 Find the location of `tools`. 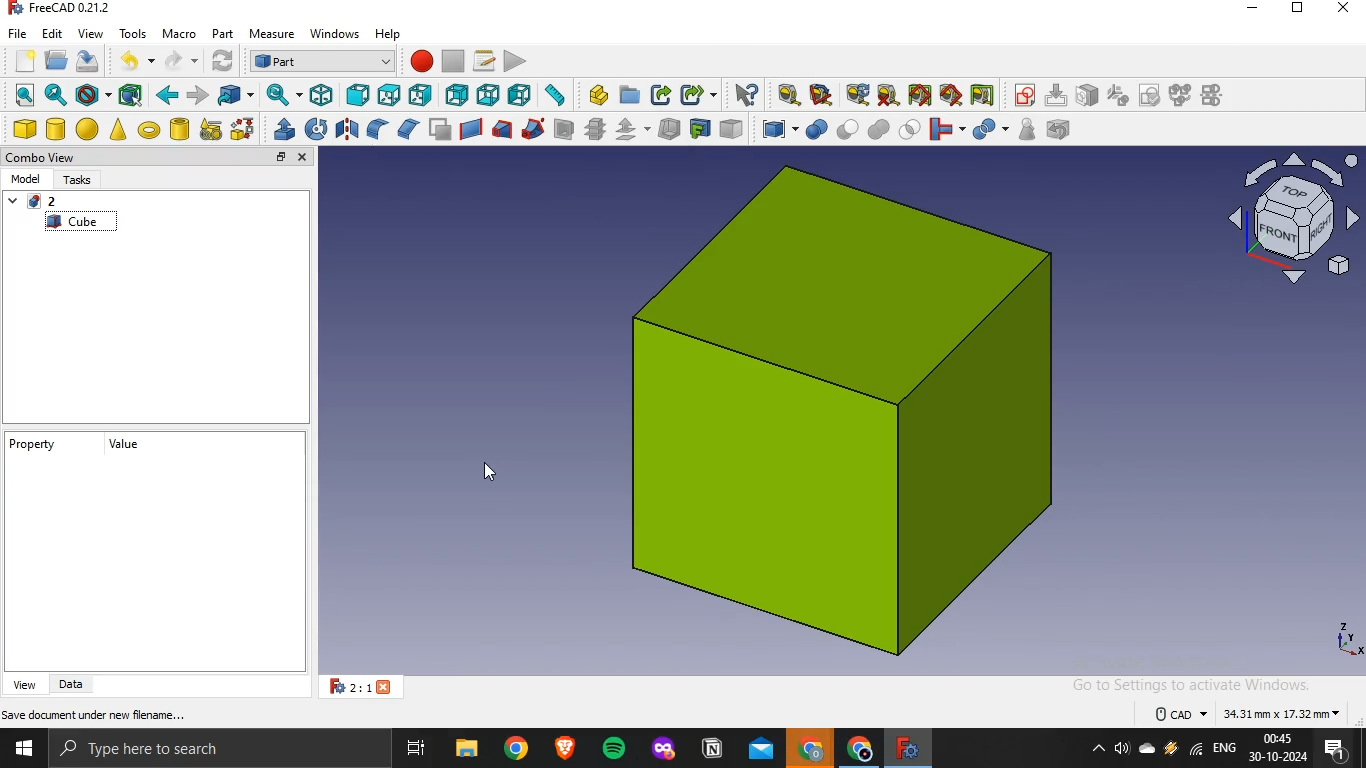

tools is located at coordinates (135, 33).